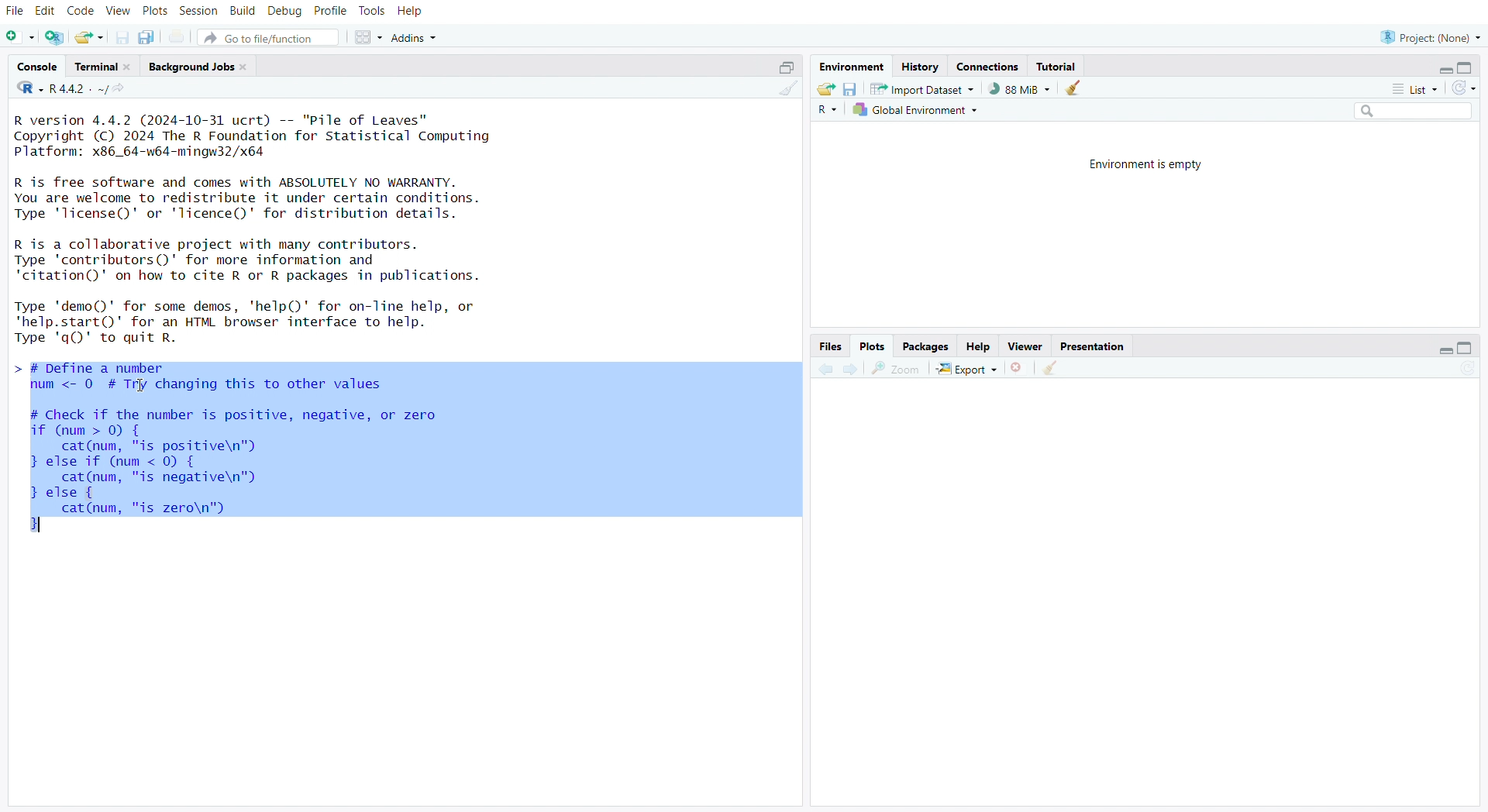  I want to click on terminal, so click(105, 67).